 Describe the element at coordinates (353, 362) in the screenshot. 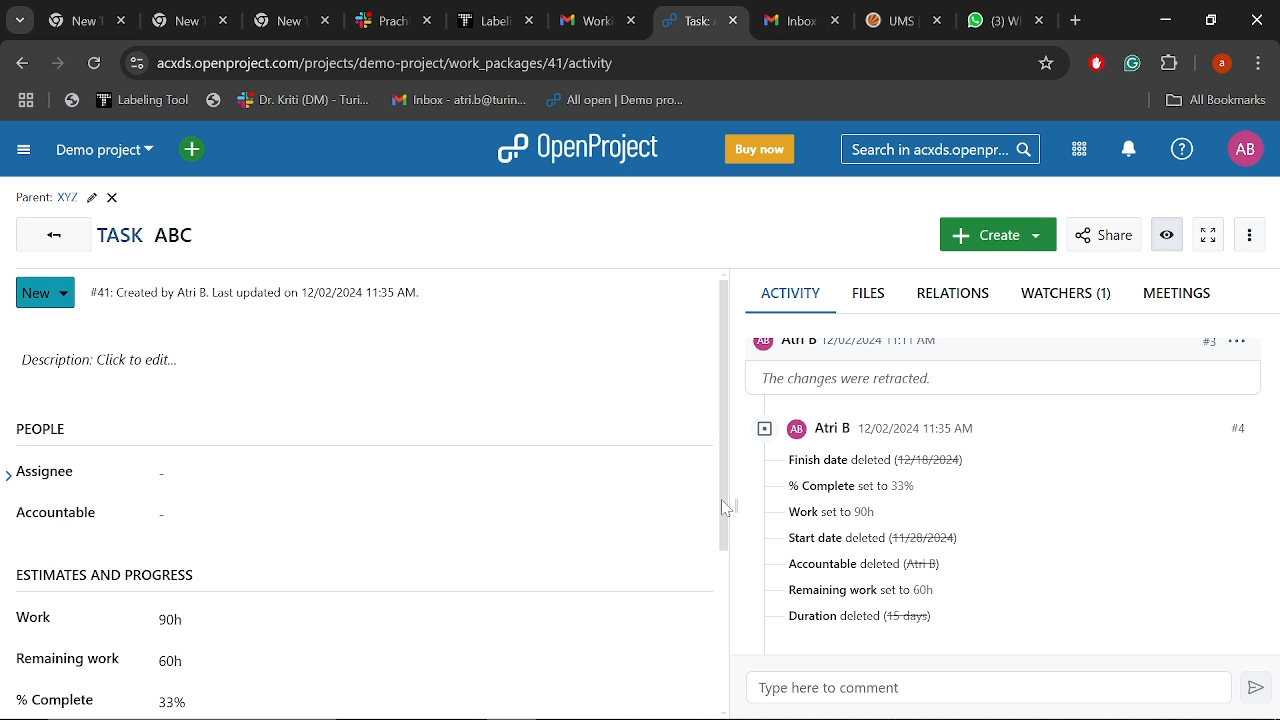

I see `Add description` at that location.